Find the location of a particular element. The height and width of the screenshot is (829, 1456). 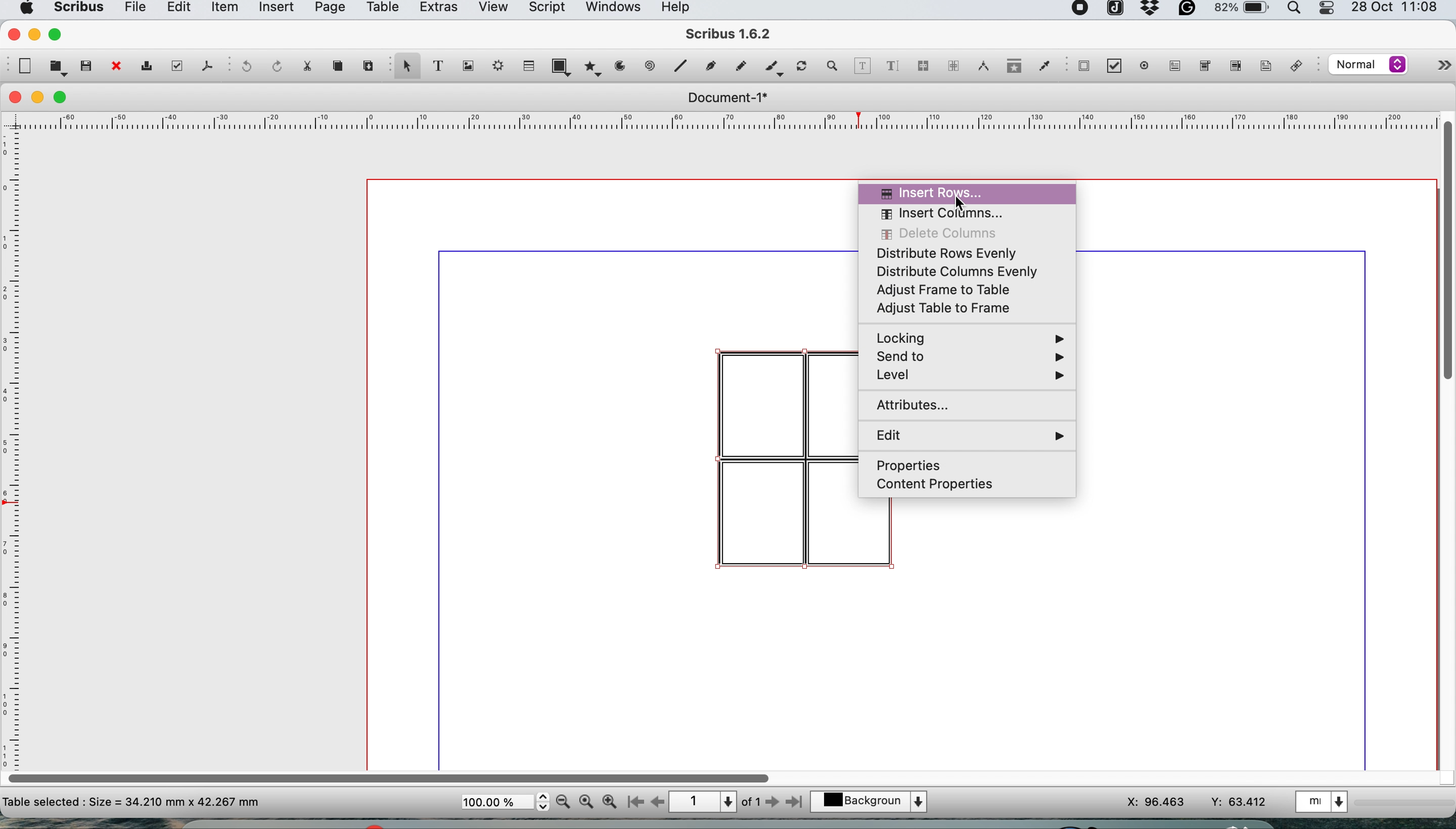

edit is located at coordinates (971, 435).